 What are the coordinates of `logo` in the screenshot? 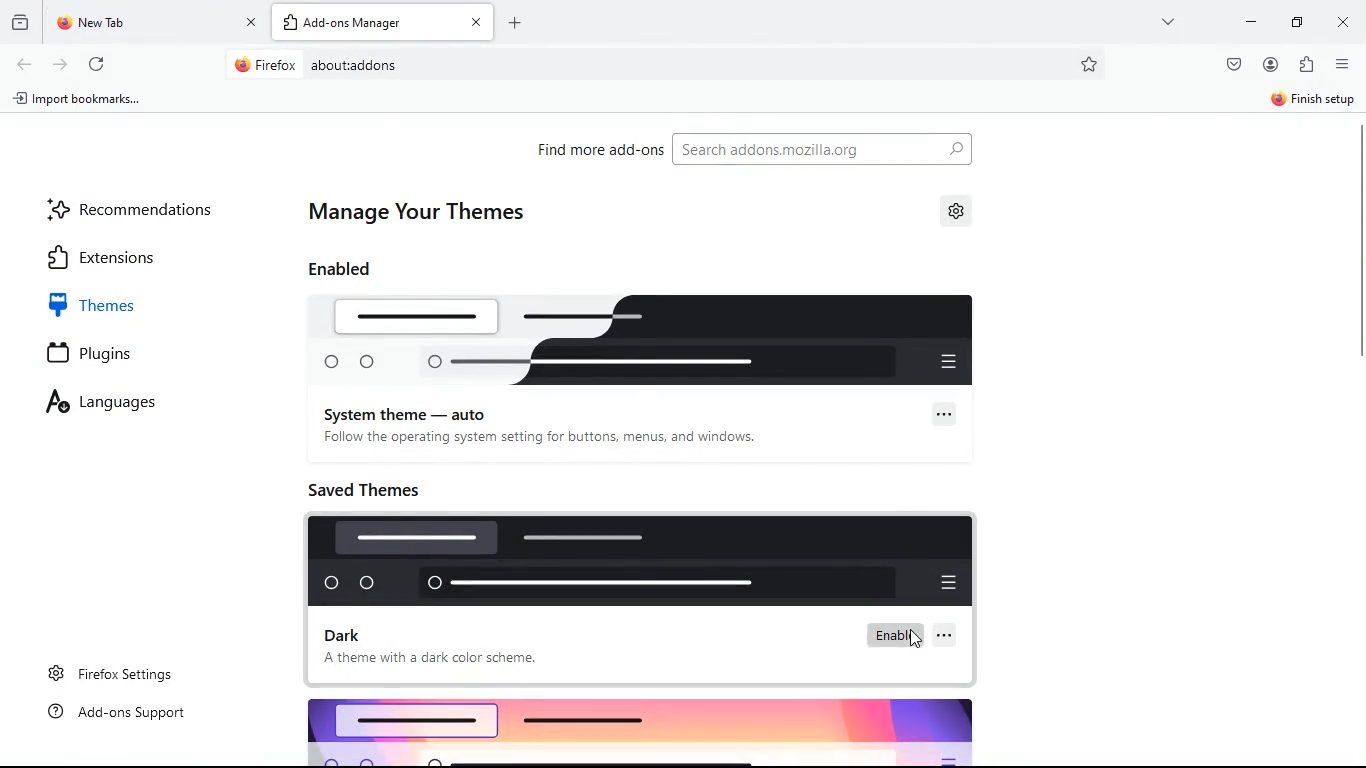 It's located at (655, 731).